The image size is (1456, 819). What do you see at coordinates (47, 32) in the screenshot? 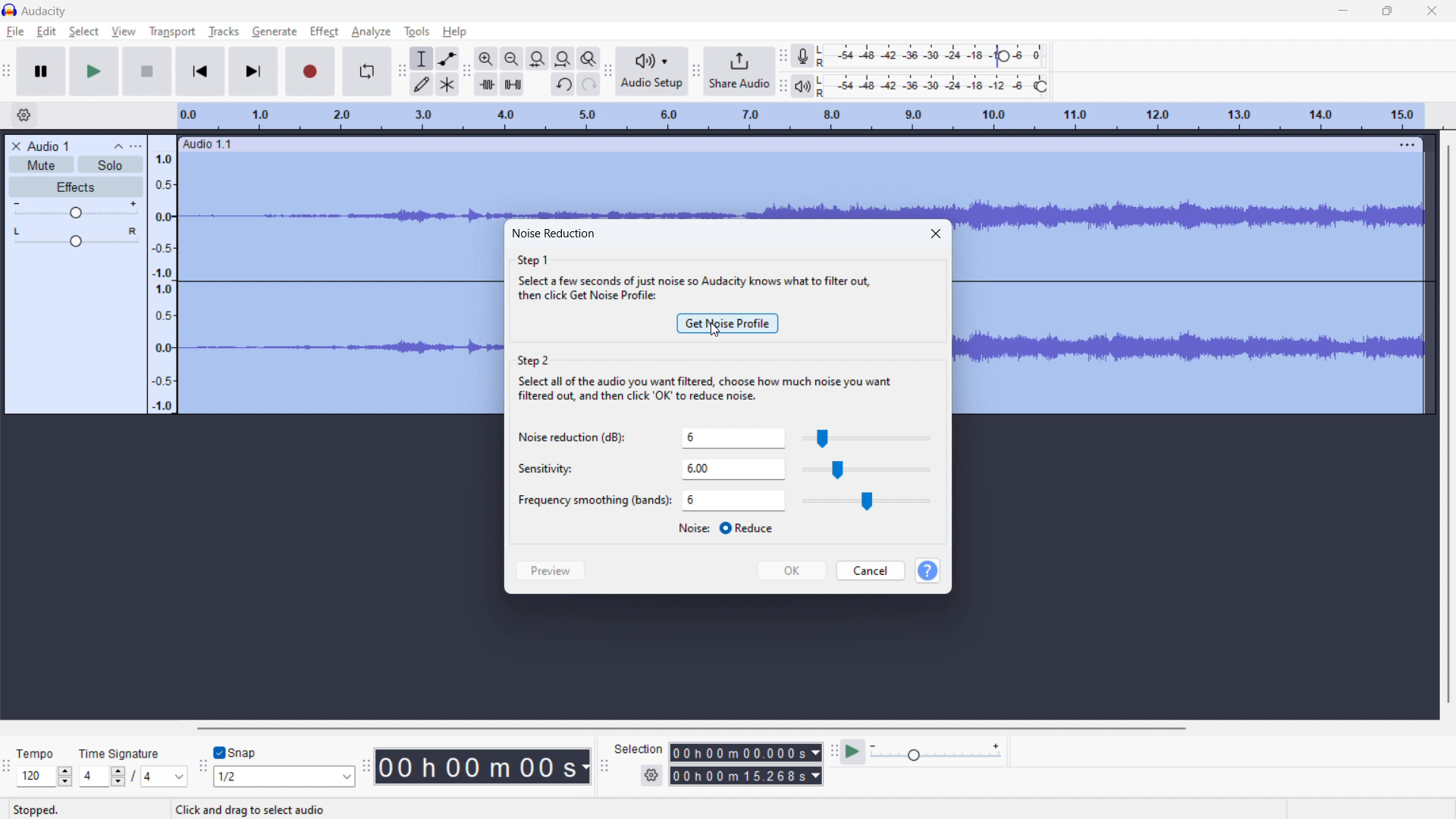
I see `edit` at bounding box center [47, 32].